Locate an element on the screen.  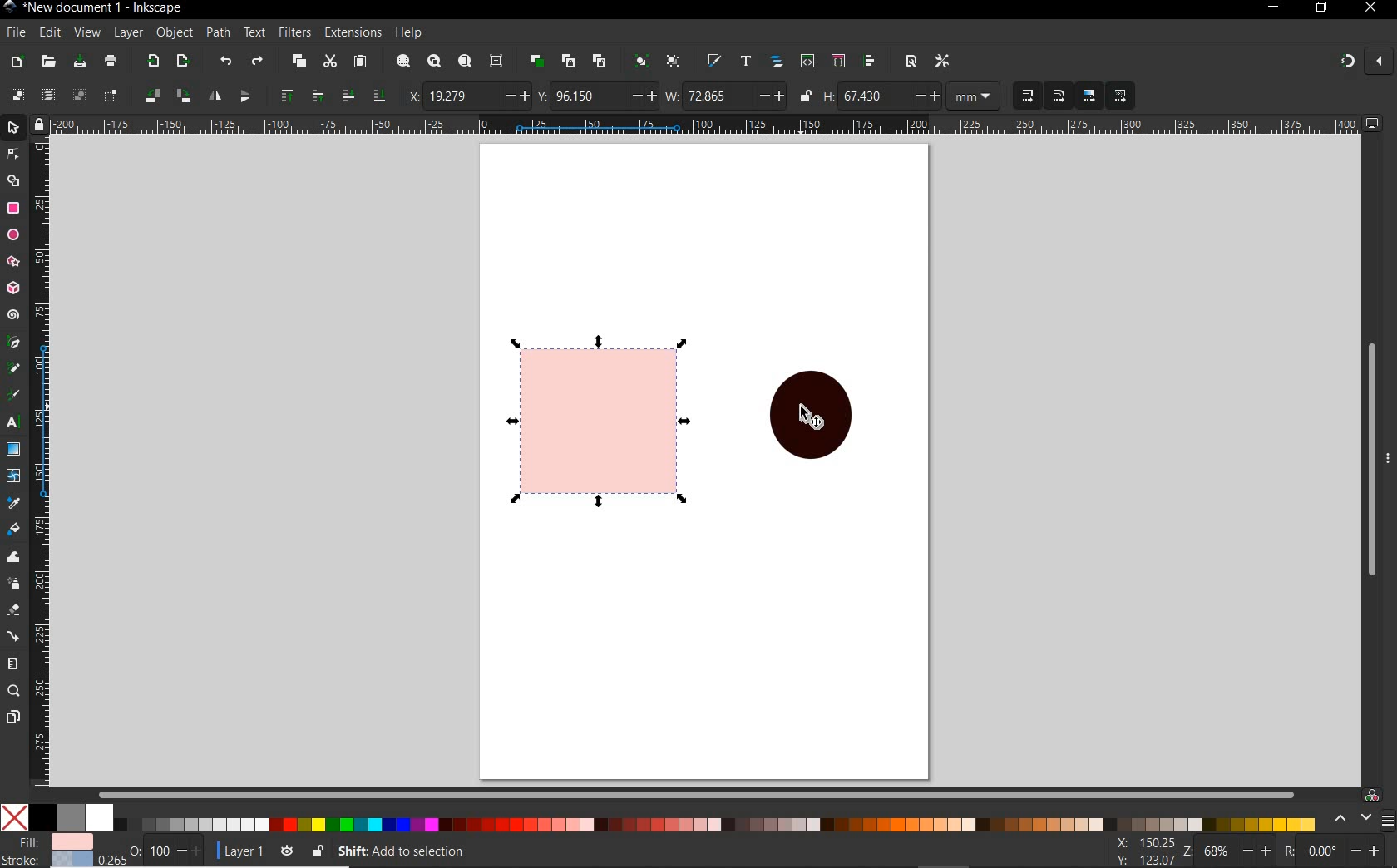
layer is located at coordinates (129, 32).